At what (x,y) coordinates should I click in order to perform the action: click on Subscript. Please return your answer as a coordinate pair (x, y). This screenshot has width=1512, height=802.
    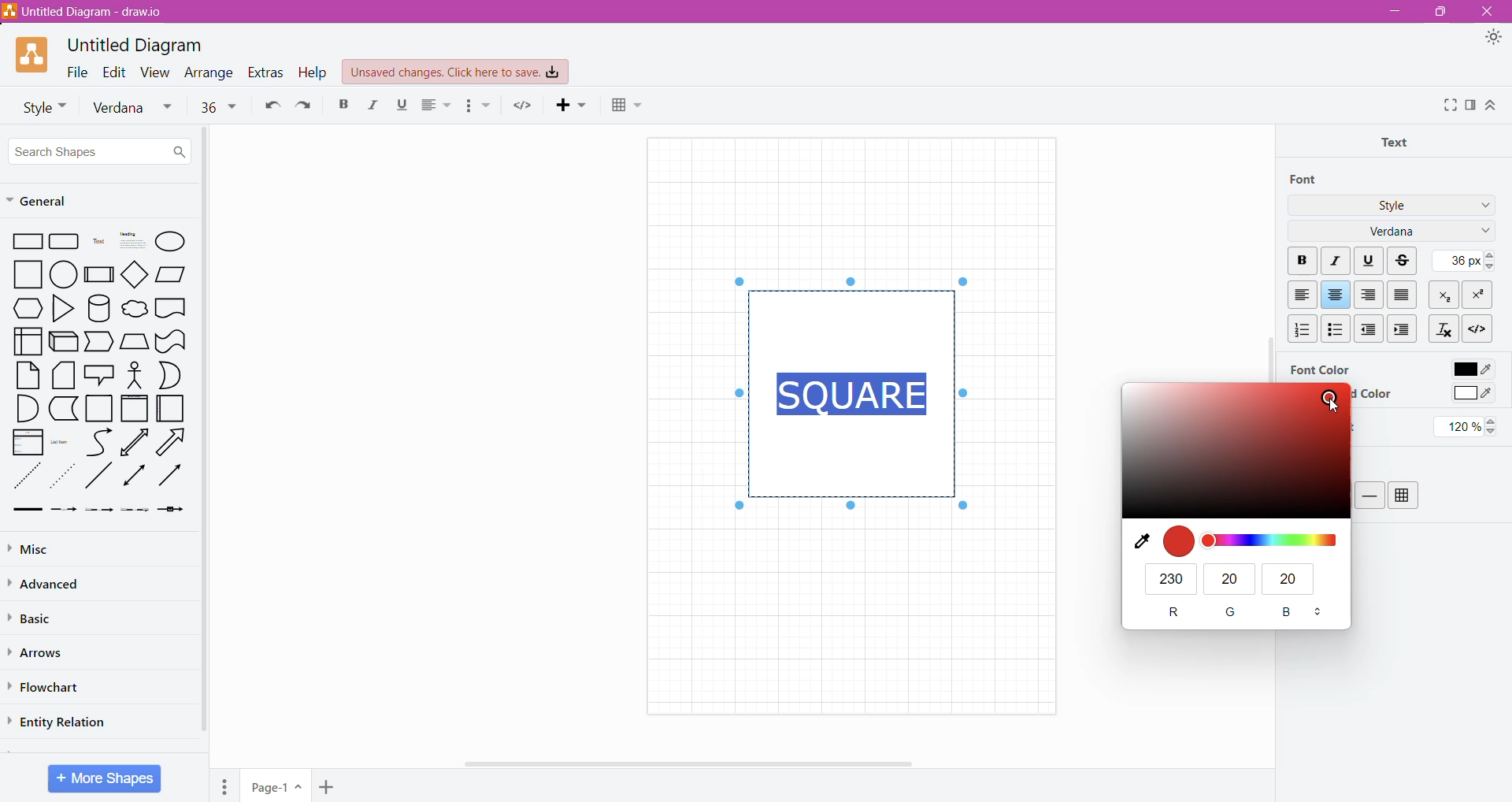
    Looking at the image, I should click on (1445, 294).